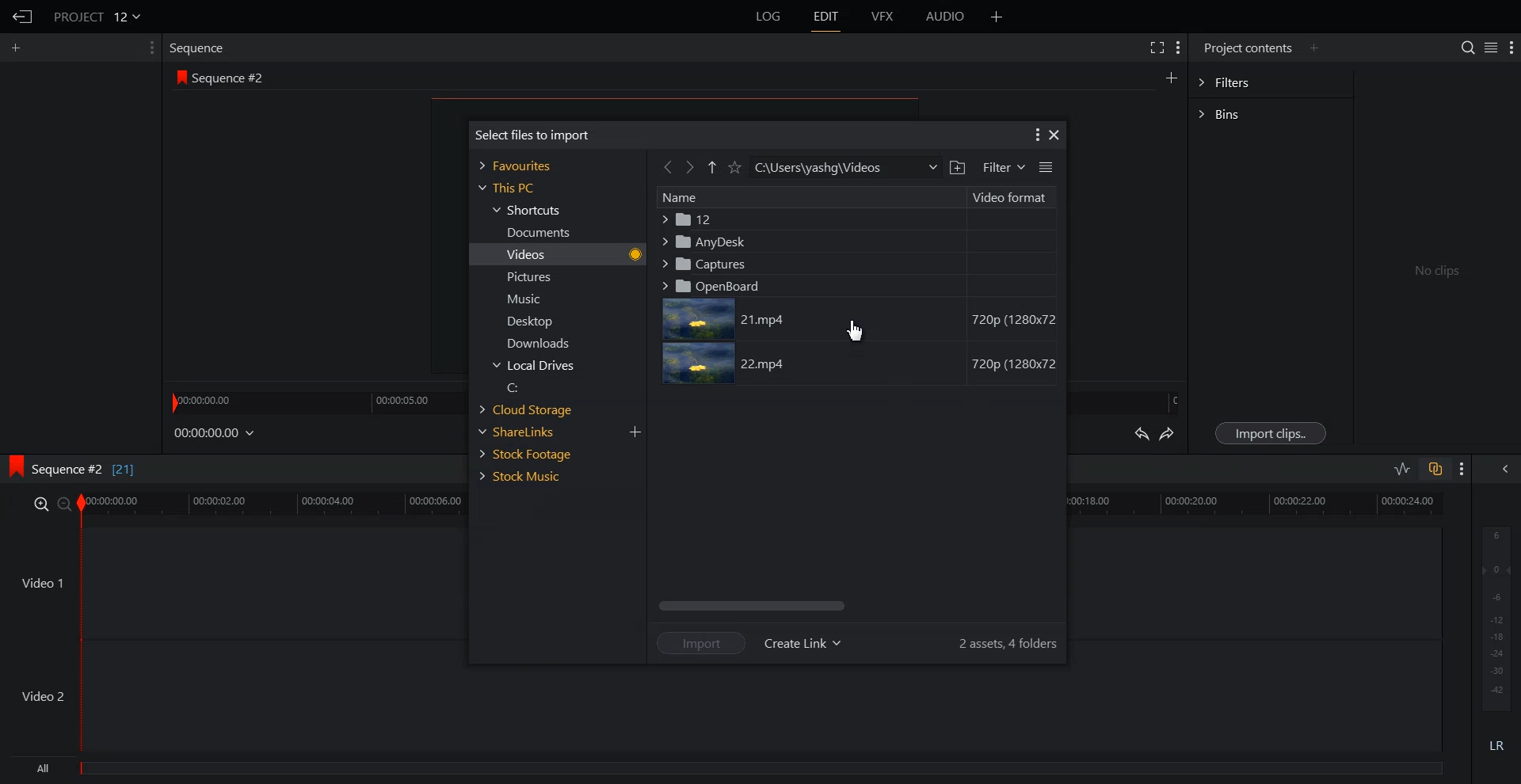  What do you see at coordinates (690, 167) in the screenshot?
I see `Go Forwards` at bounding box center [690, 167].